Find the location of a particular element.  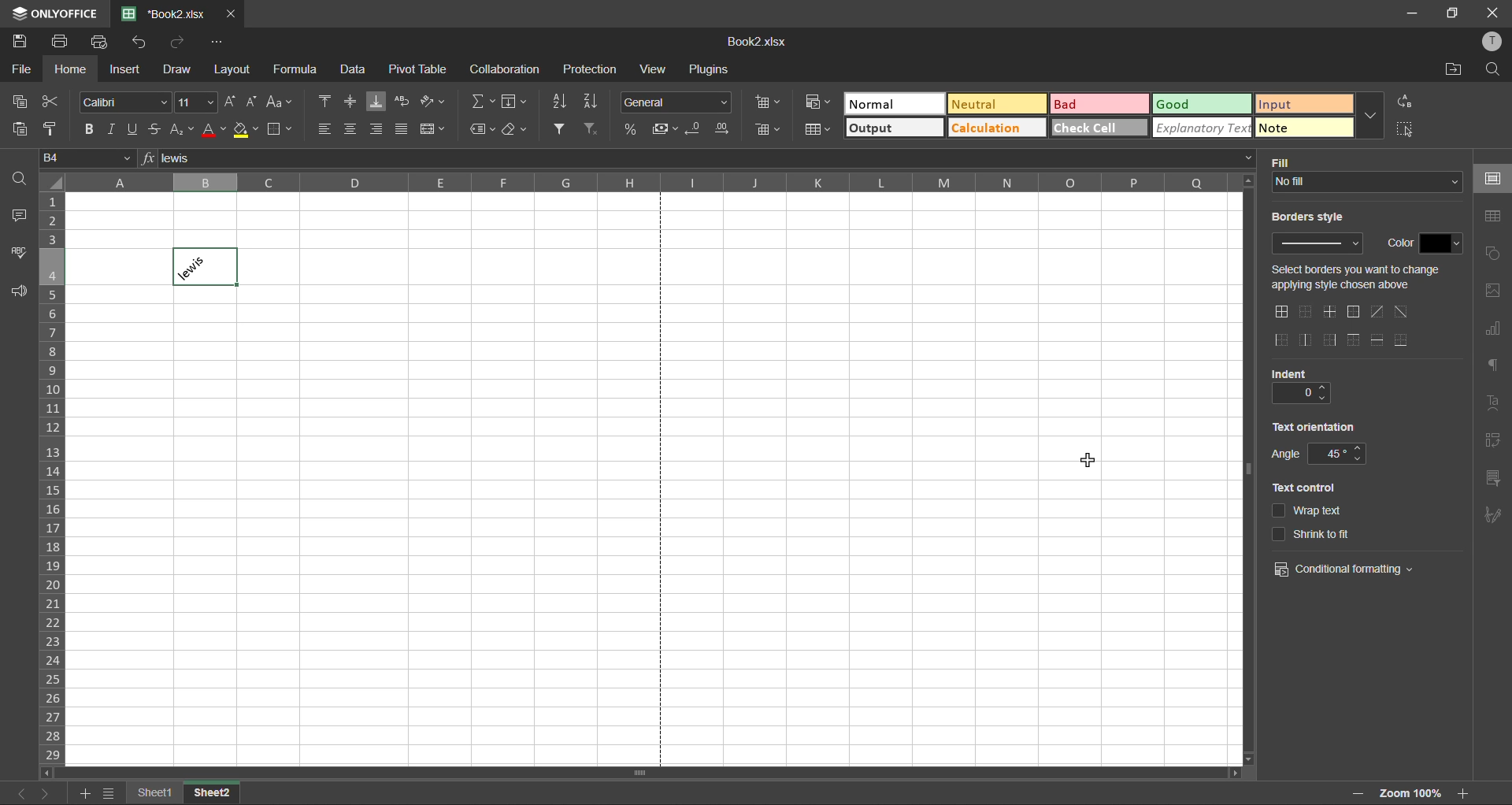

replace is located at coordinates (1406, 100).